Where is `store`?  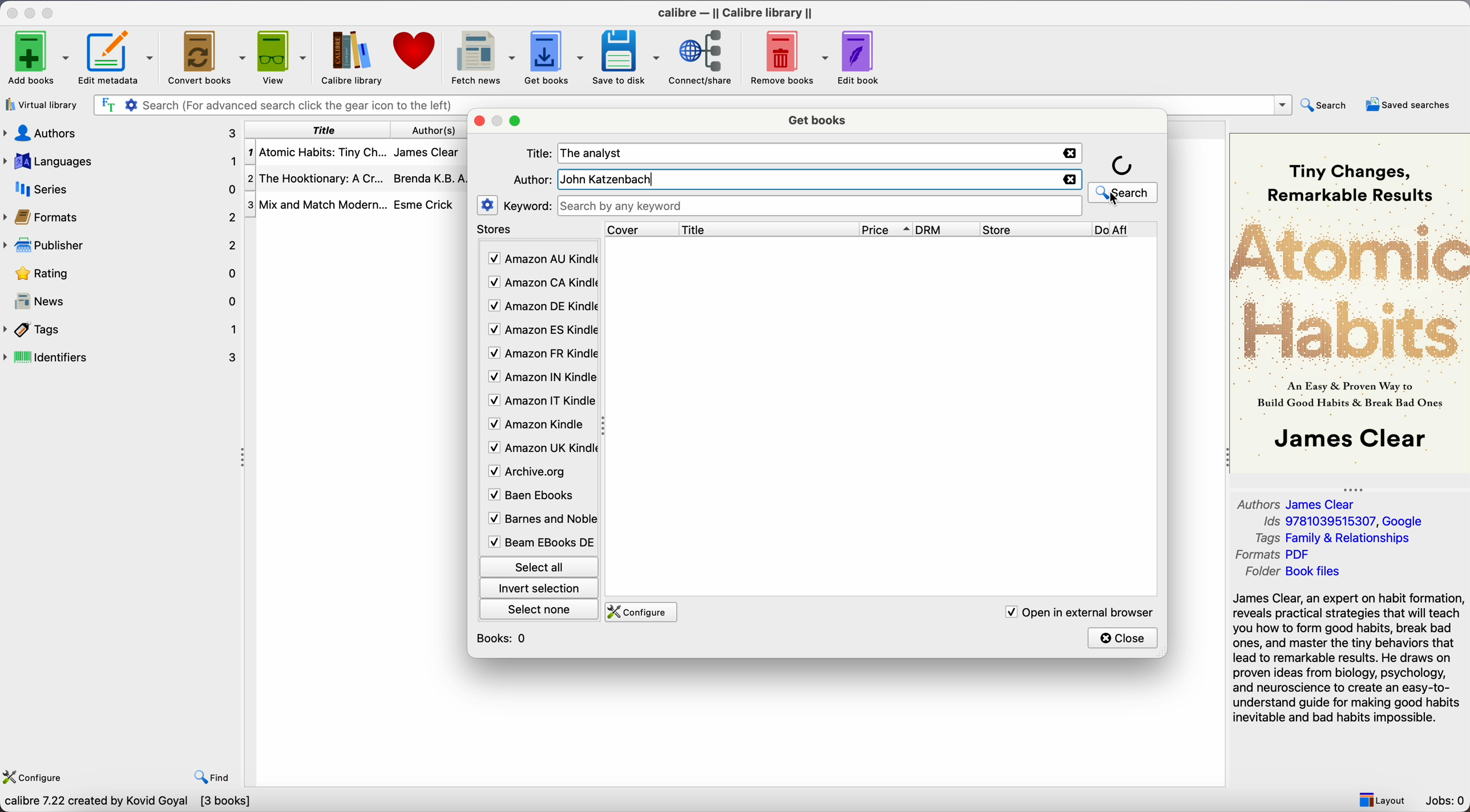
store is located at coordinates (1035, 229).